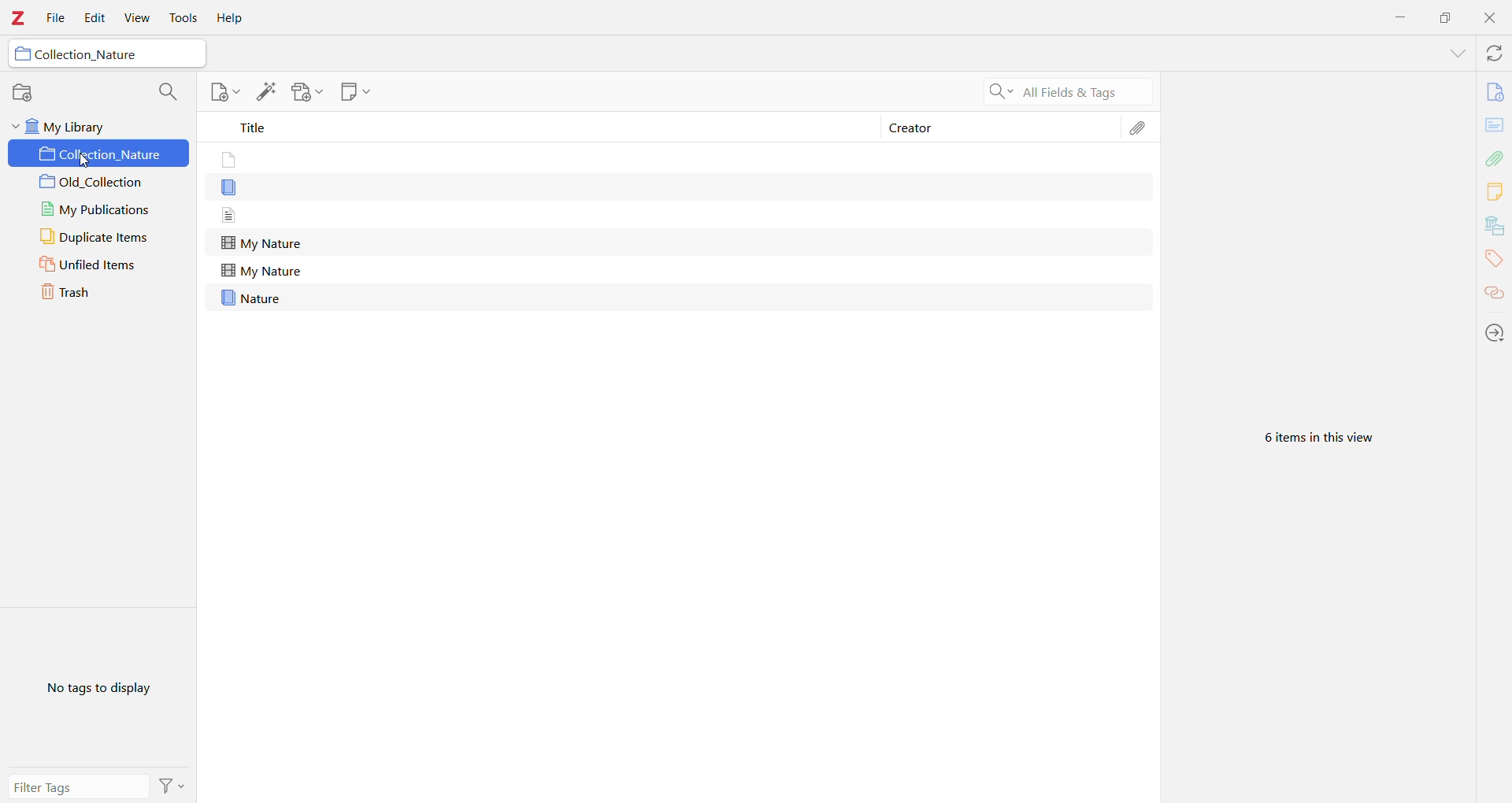 This screenshot has width=1512, height=803. I want to click on Collection_Nature, so click(99, 154).